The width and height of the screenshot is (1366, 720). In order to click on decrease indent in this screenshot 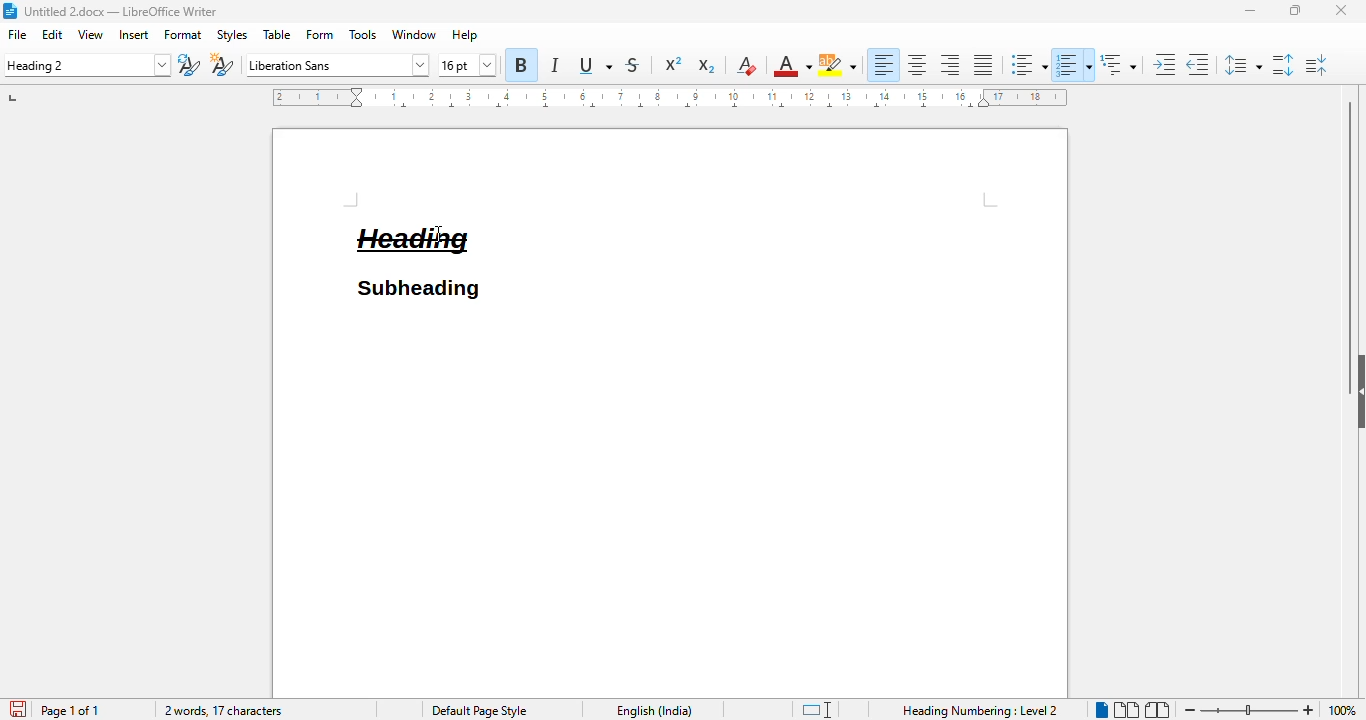, I will do `click(1197, 64)`.